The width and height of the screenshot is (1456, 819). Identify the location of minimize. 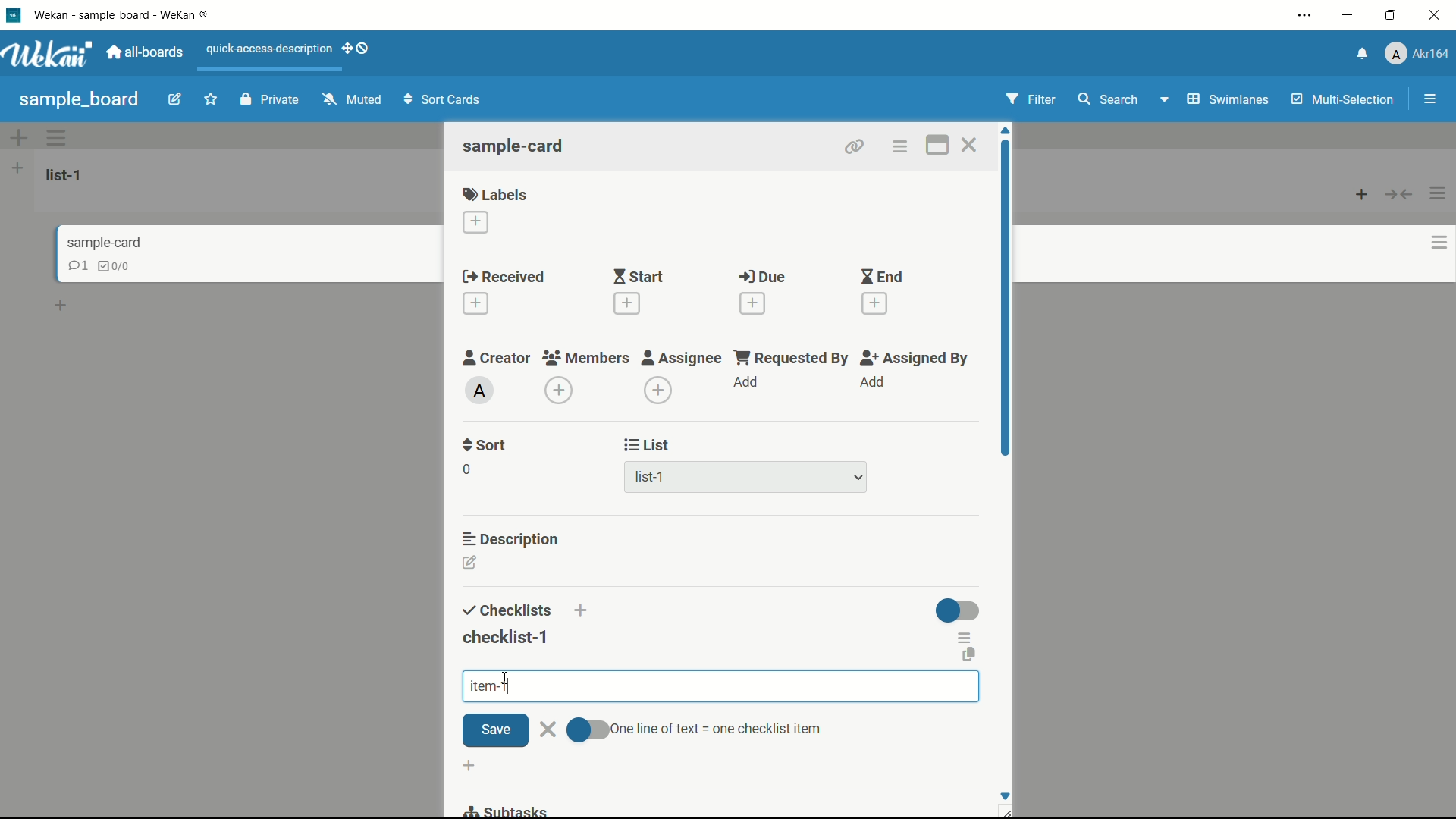
(1349, 16).